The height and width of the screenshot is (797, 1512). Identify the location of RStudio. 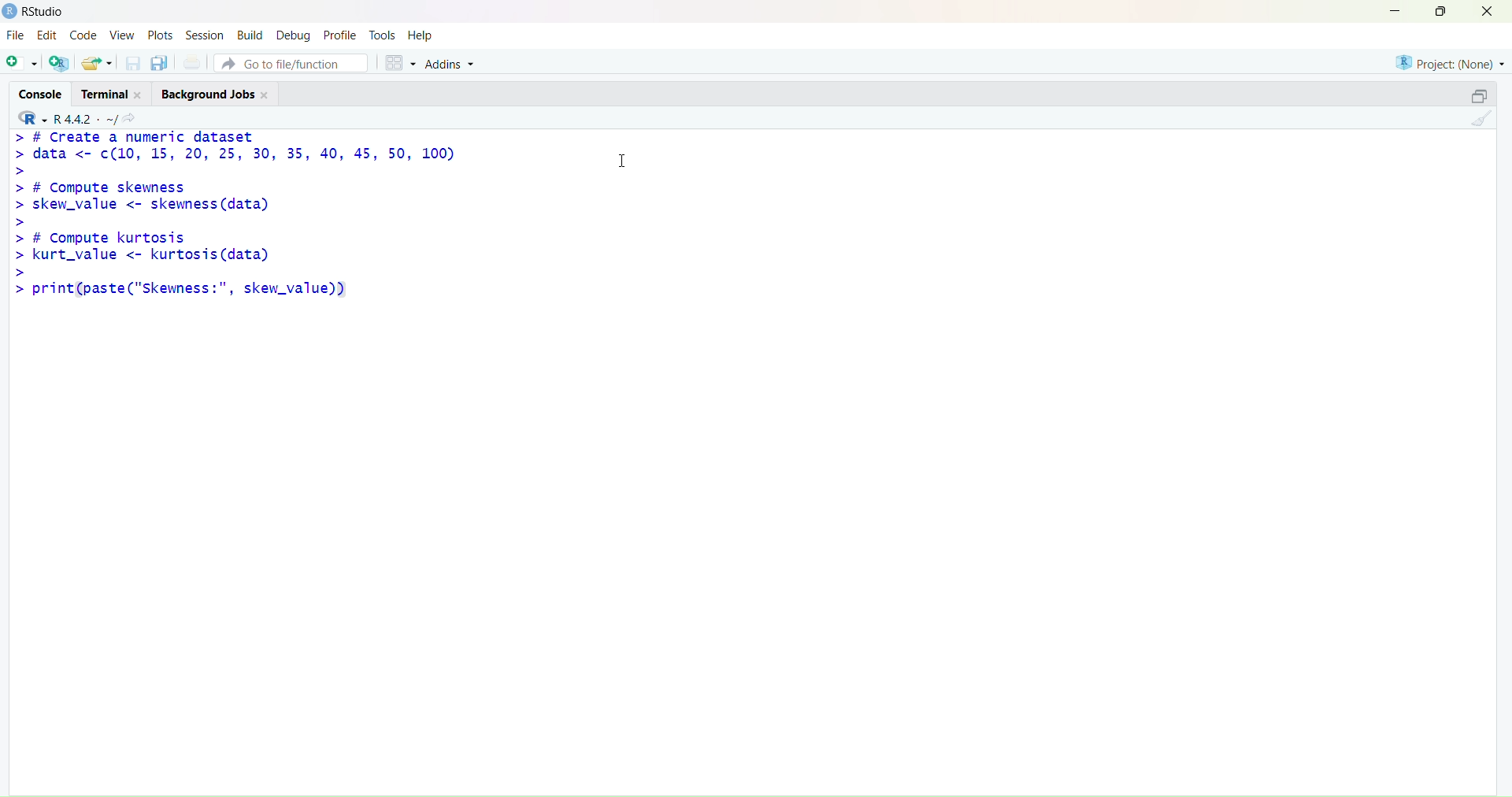
(33, 12).